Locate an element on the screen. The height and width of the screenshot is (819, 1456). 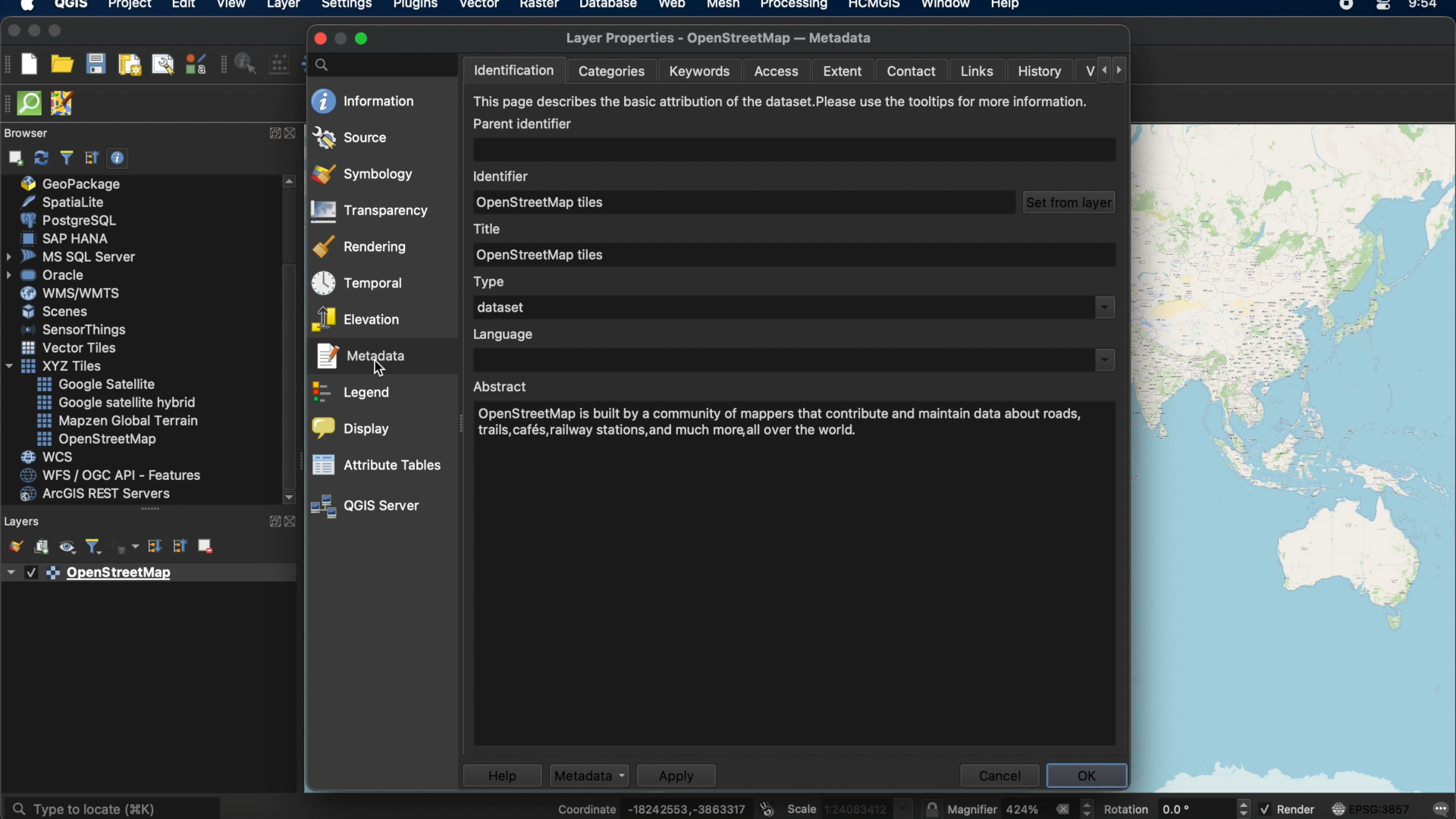
search bar layer properties is located at coordinates (377, 64).